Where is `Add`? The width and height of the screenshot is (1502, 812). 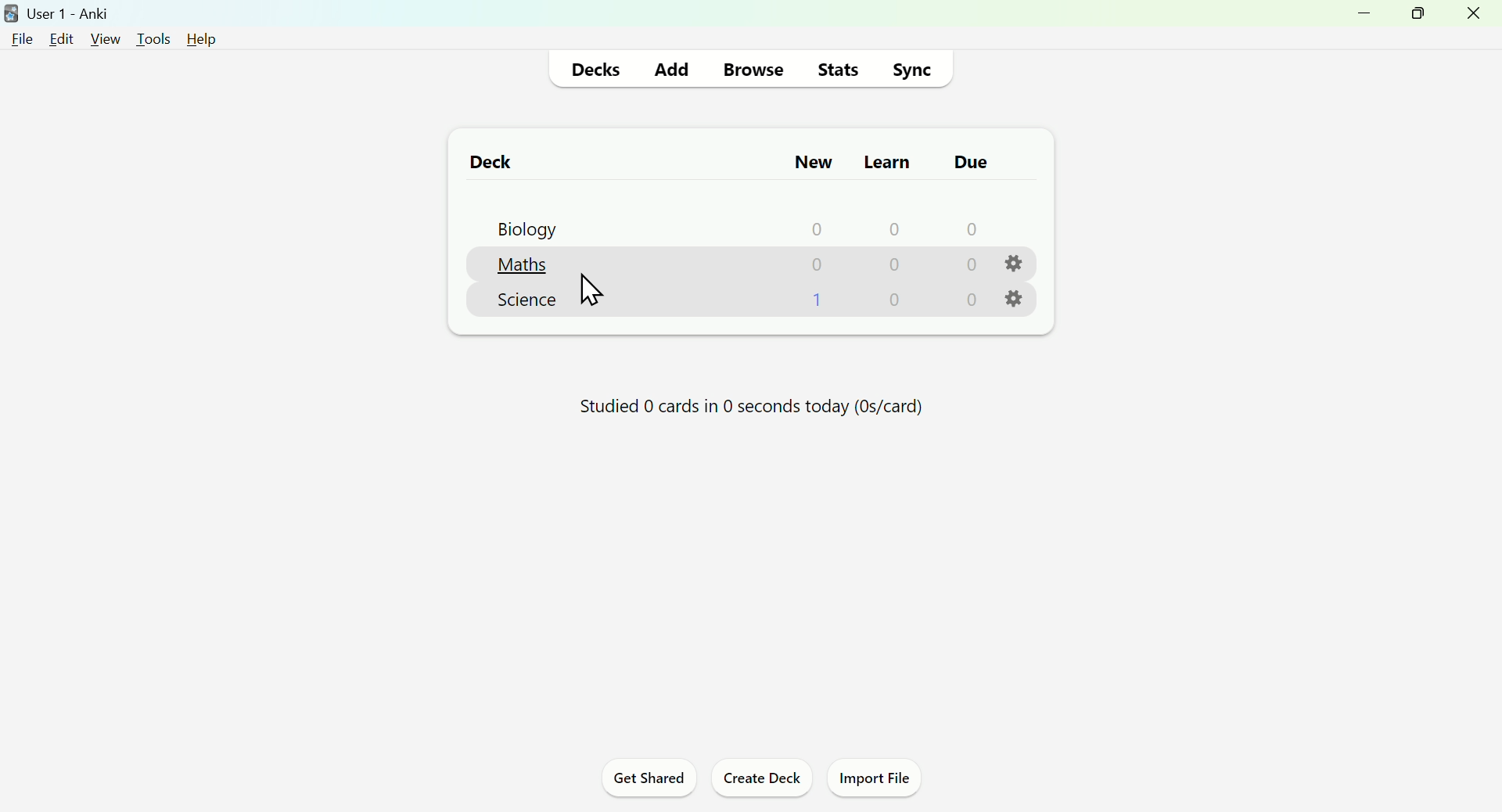 Add is located at coordinates (671, 69).